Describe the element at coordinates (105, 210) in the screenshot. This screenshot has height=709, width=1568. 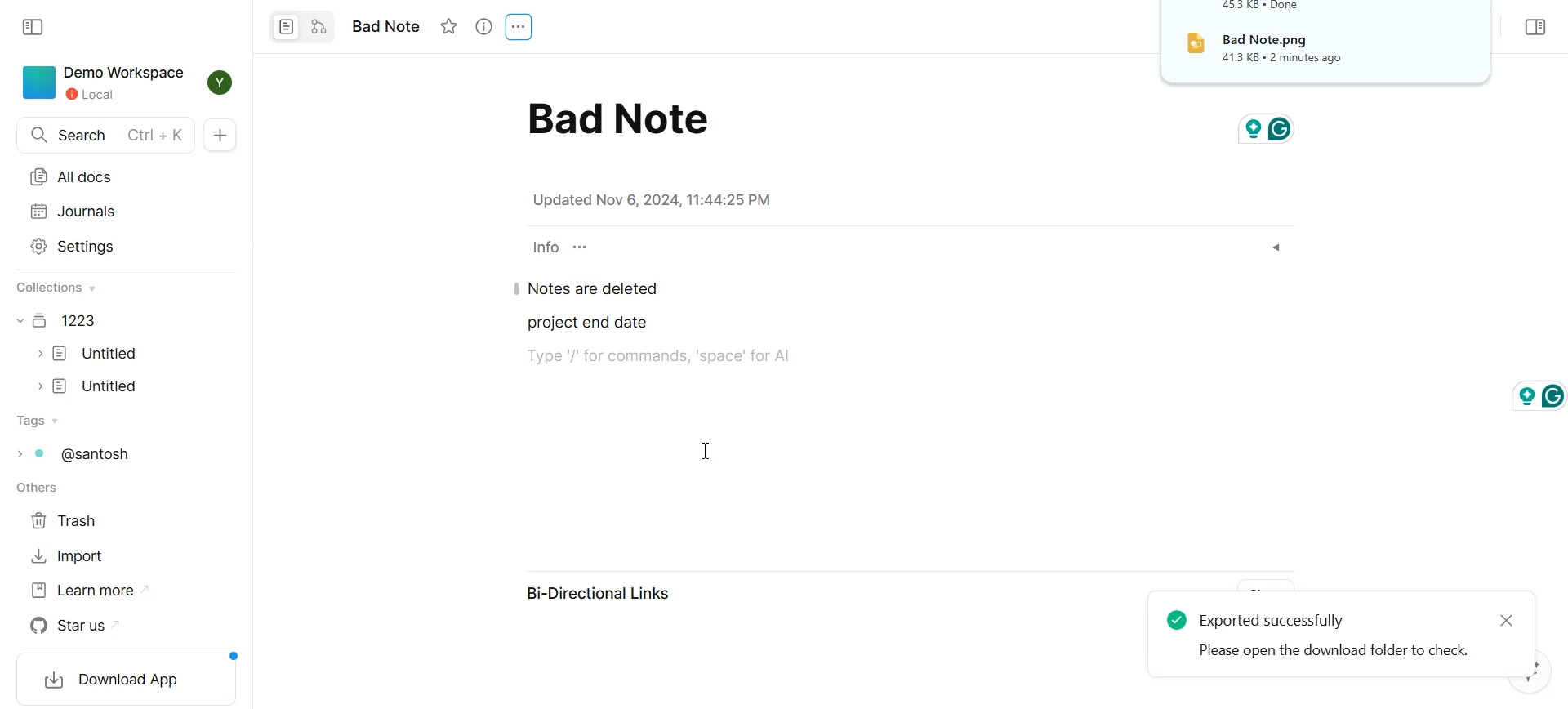
I see `Journals` at that location.